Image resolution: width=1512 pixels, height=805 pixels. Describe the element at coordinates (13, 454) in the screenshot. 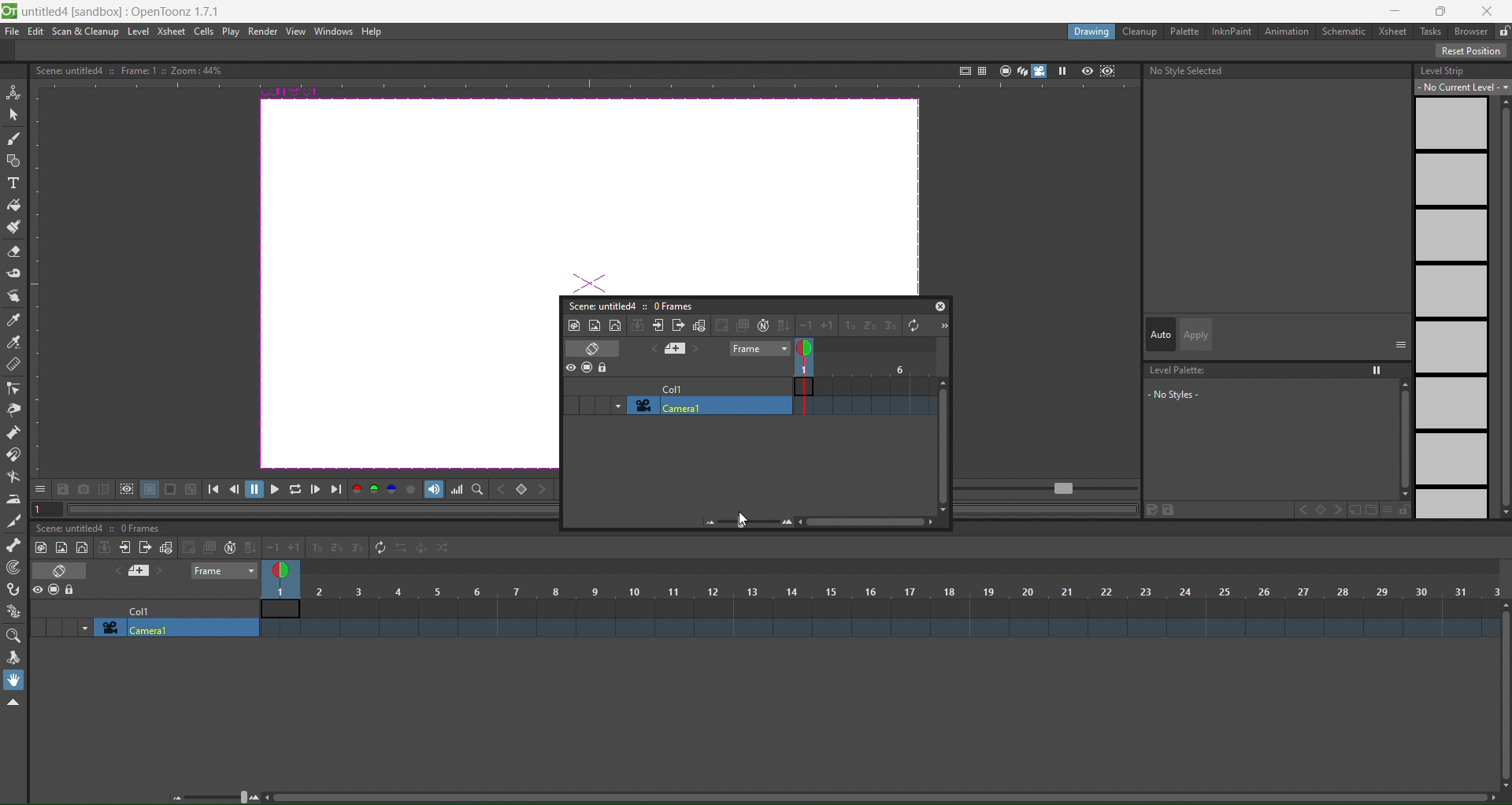

I see `magnet tool` at that location.